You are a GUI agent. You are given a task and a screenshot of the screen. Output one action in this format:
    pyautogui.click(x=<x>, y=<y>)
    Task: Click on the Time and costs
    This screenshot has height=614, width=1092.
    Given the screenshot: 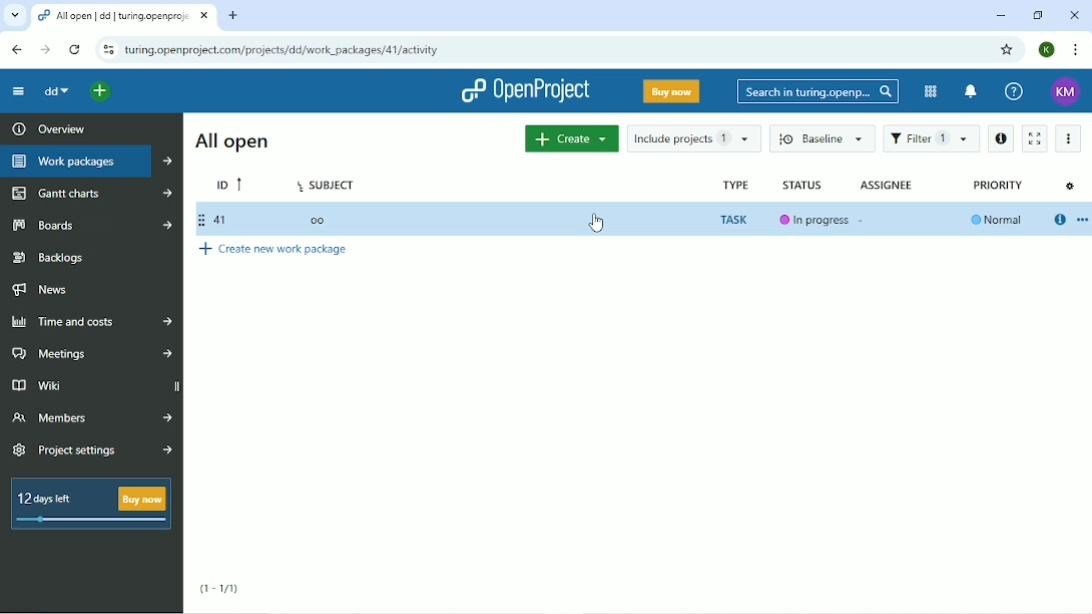 What is the action you would take?
    pyautogui.click(x=90, y=321)
    